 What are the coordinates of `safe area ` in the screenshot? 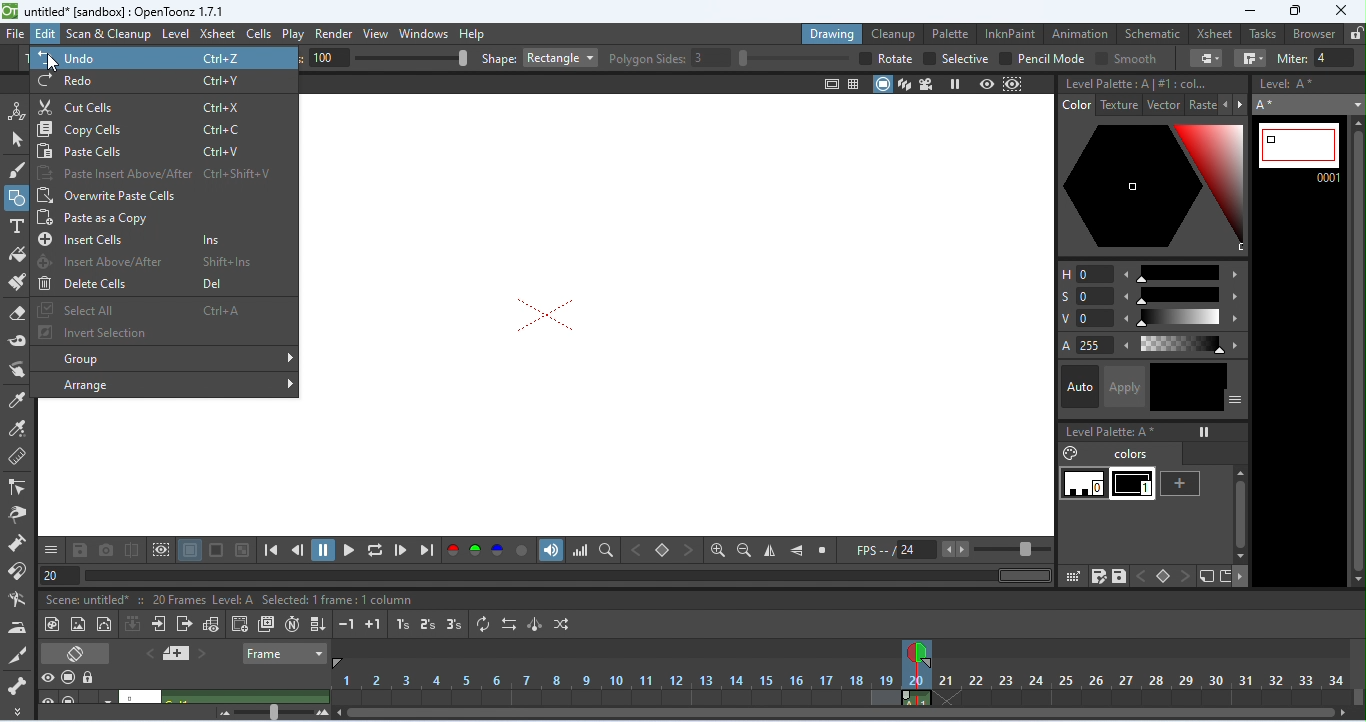 It's located at (830, 85).